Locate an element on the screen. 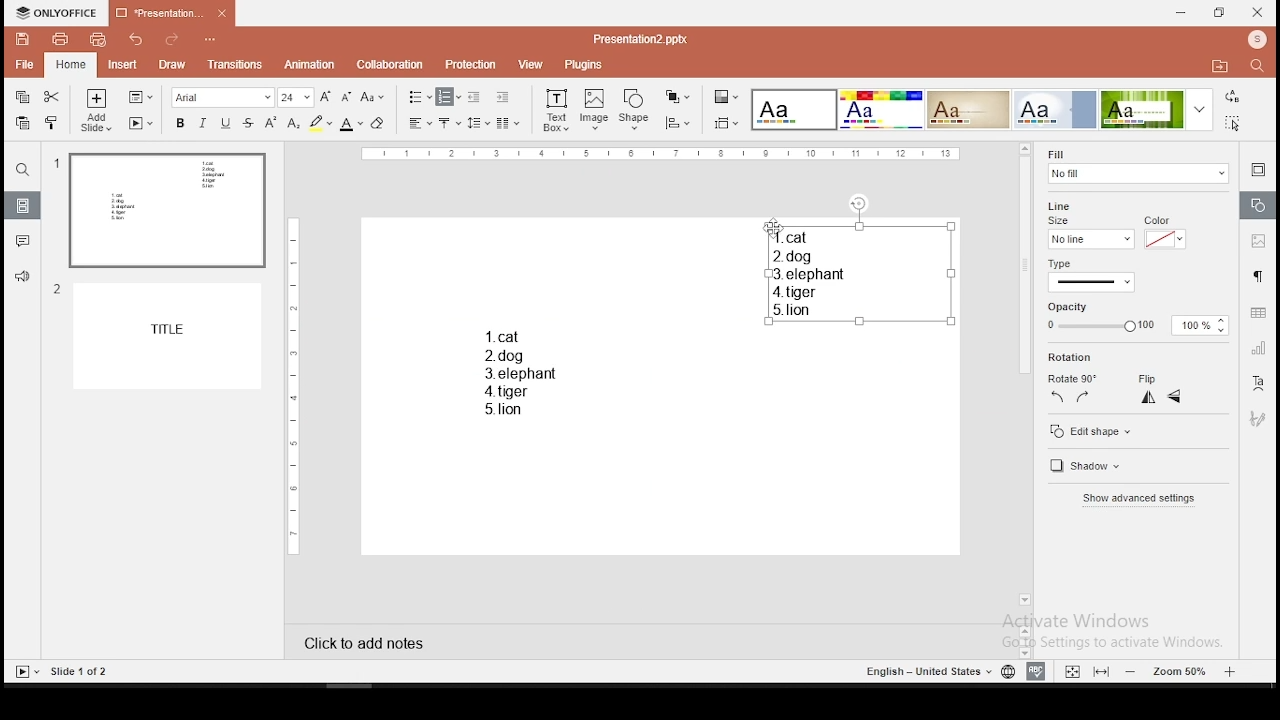 Image resolution: width=1280 pixels, height=720 pixels. numbering is located at coordinates (449, 97).